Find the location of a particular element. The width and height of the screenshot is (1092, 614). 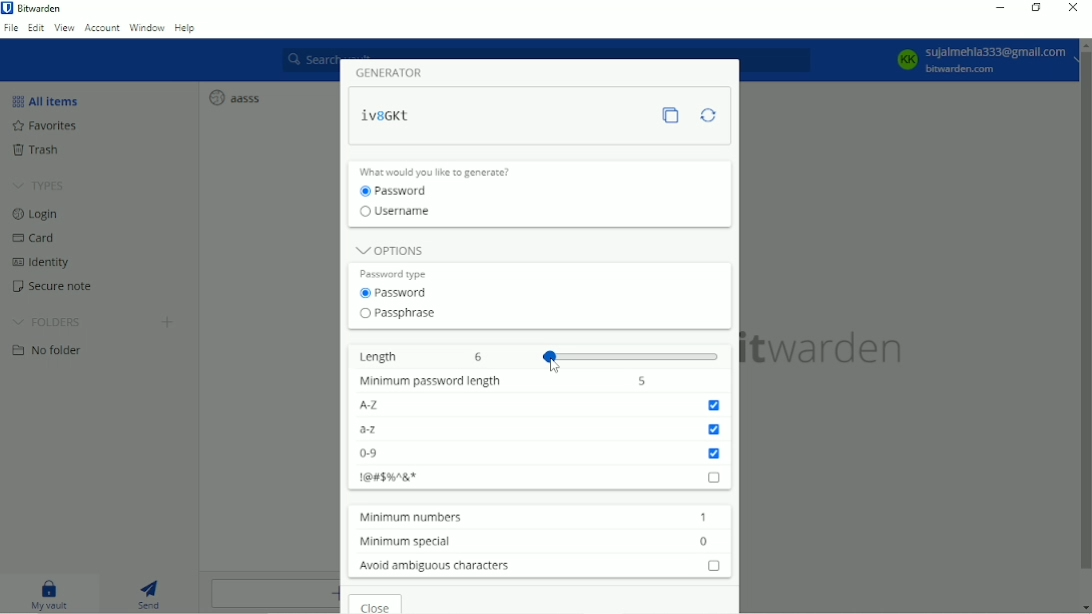

Secure note is located at coordinates (54, 288).